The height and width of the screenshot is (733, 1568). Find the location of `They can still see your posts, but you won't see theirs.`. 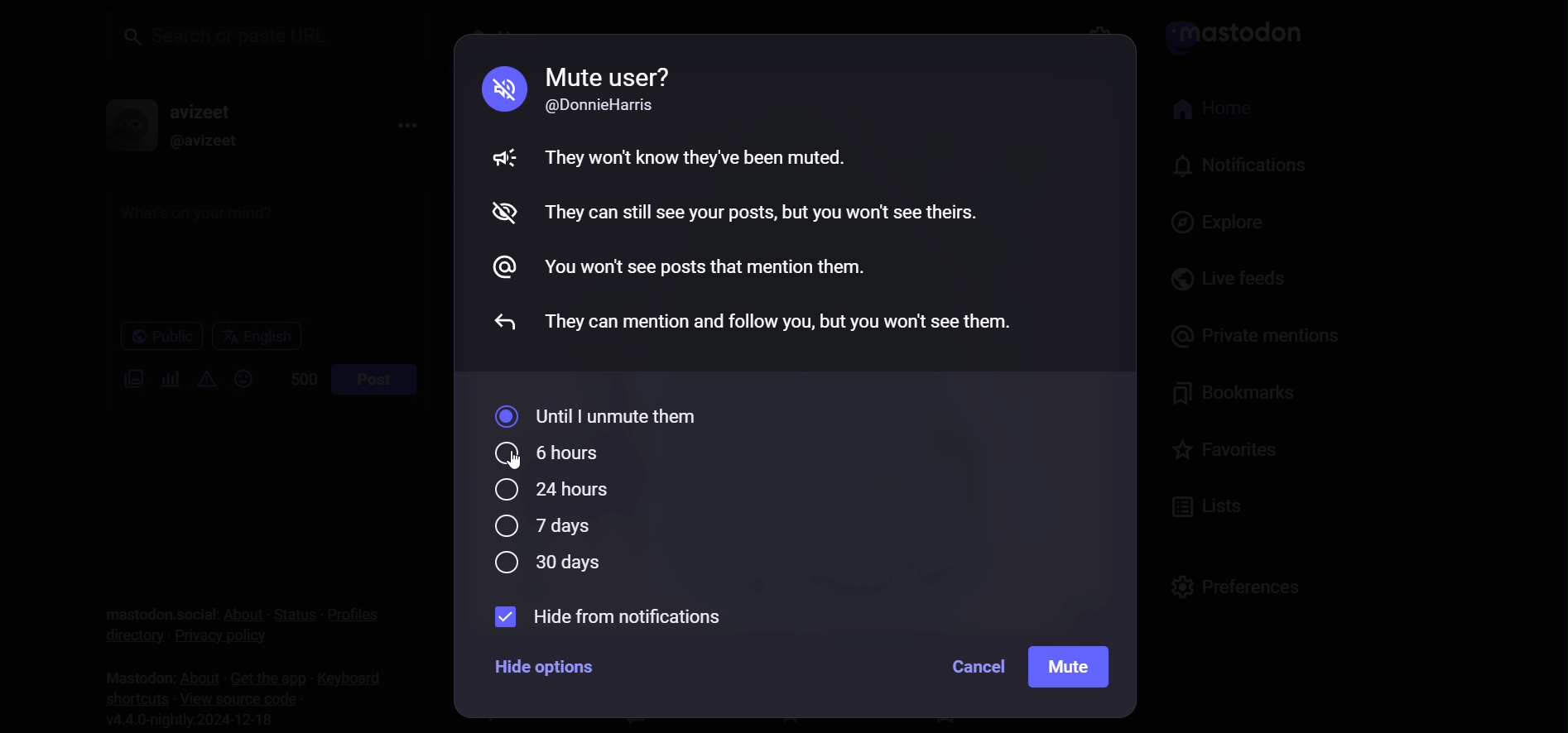

They can still see your posts, but you won't see theirs. is located at coordinates (763, 212).